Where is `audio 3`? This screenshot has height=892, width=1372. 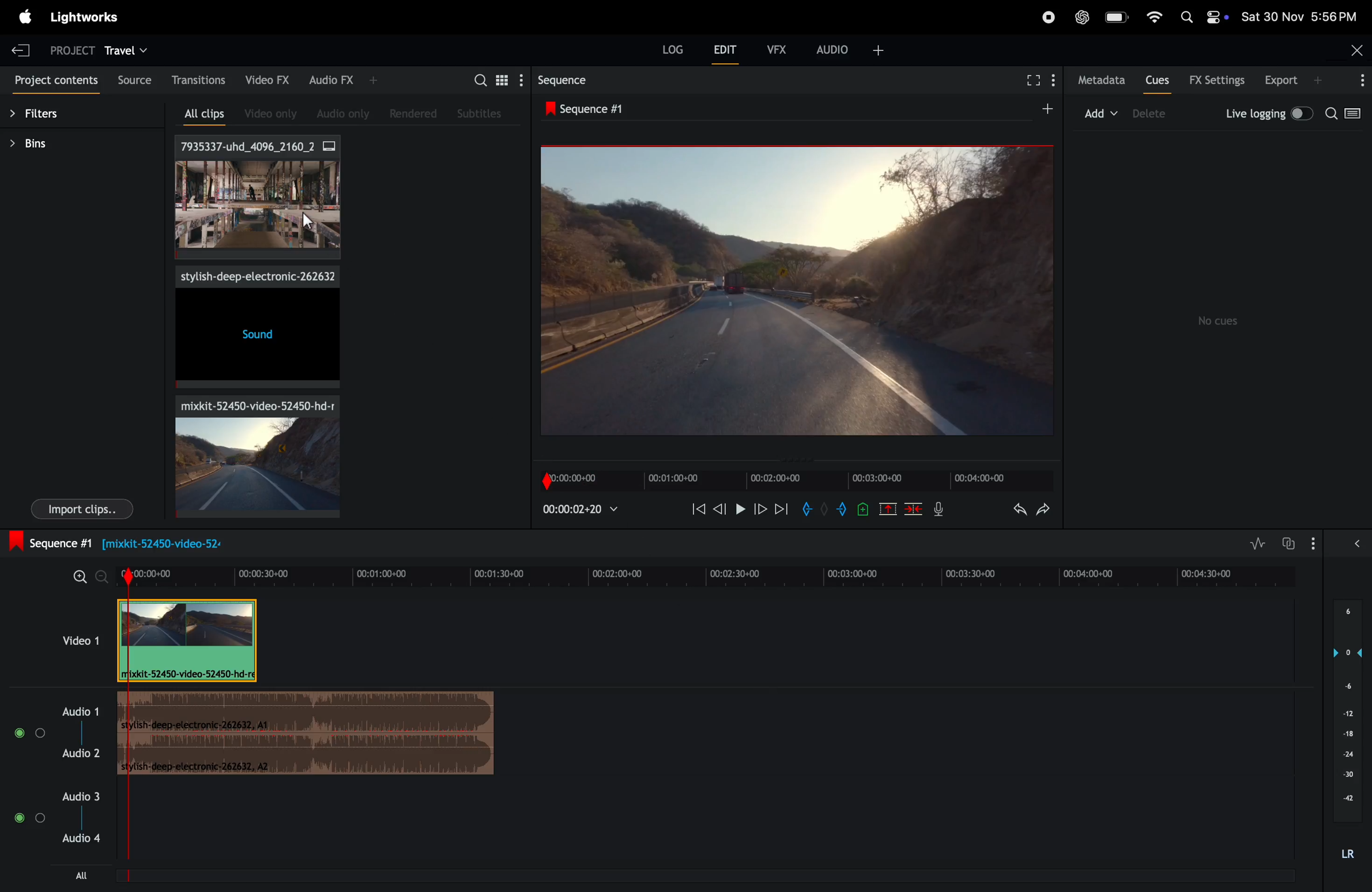
audio 3 is located at coordinates (58, 833).